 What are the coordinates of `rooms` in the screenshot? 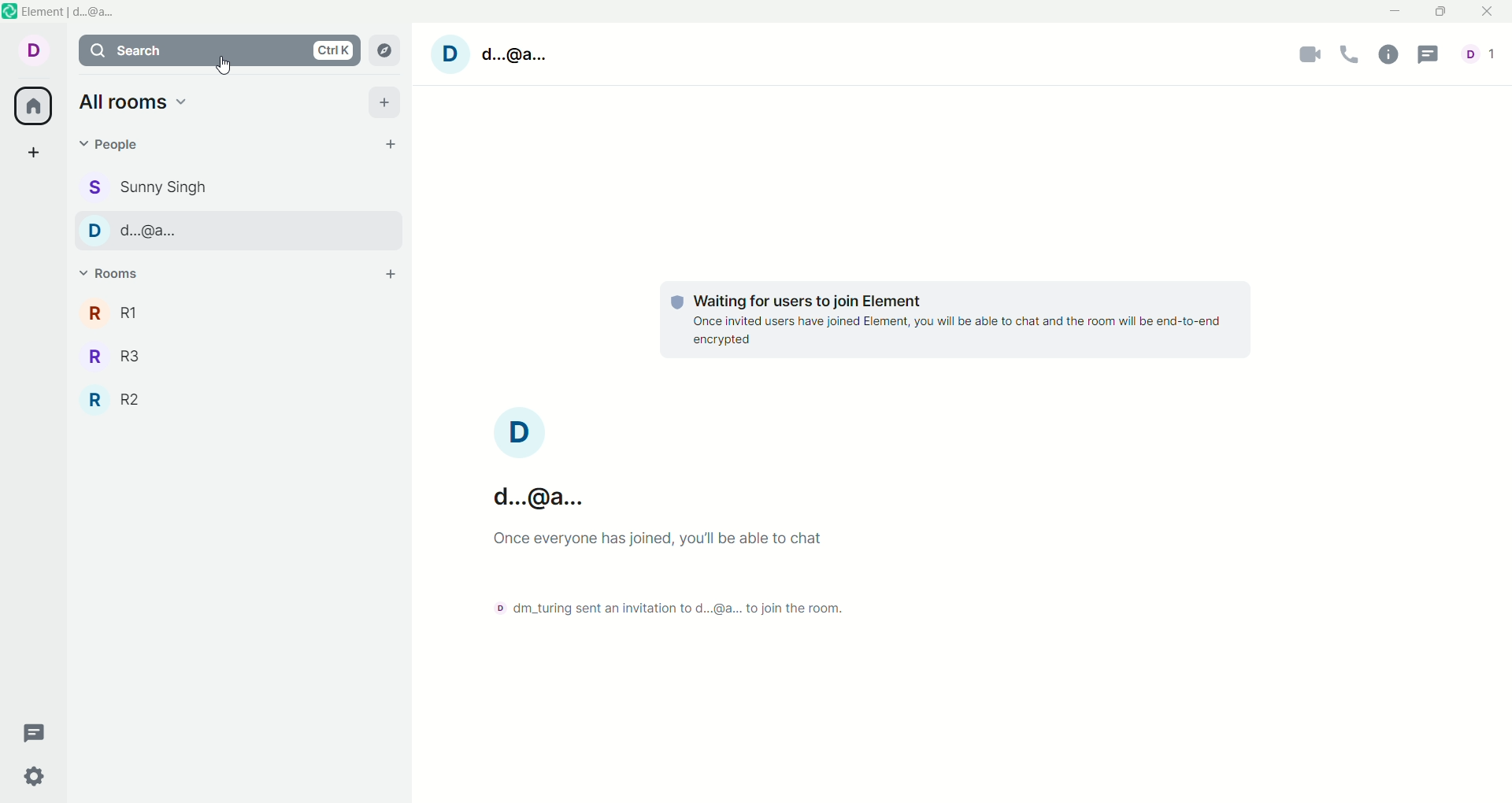 It's located at (109, 269).